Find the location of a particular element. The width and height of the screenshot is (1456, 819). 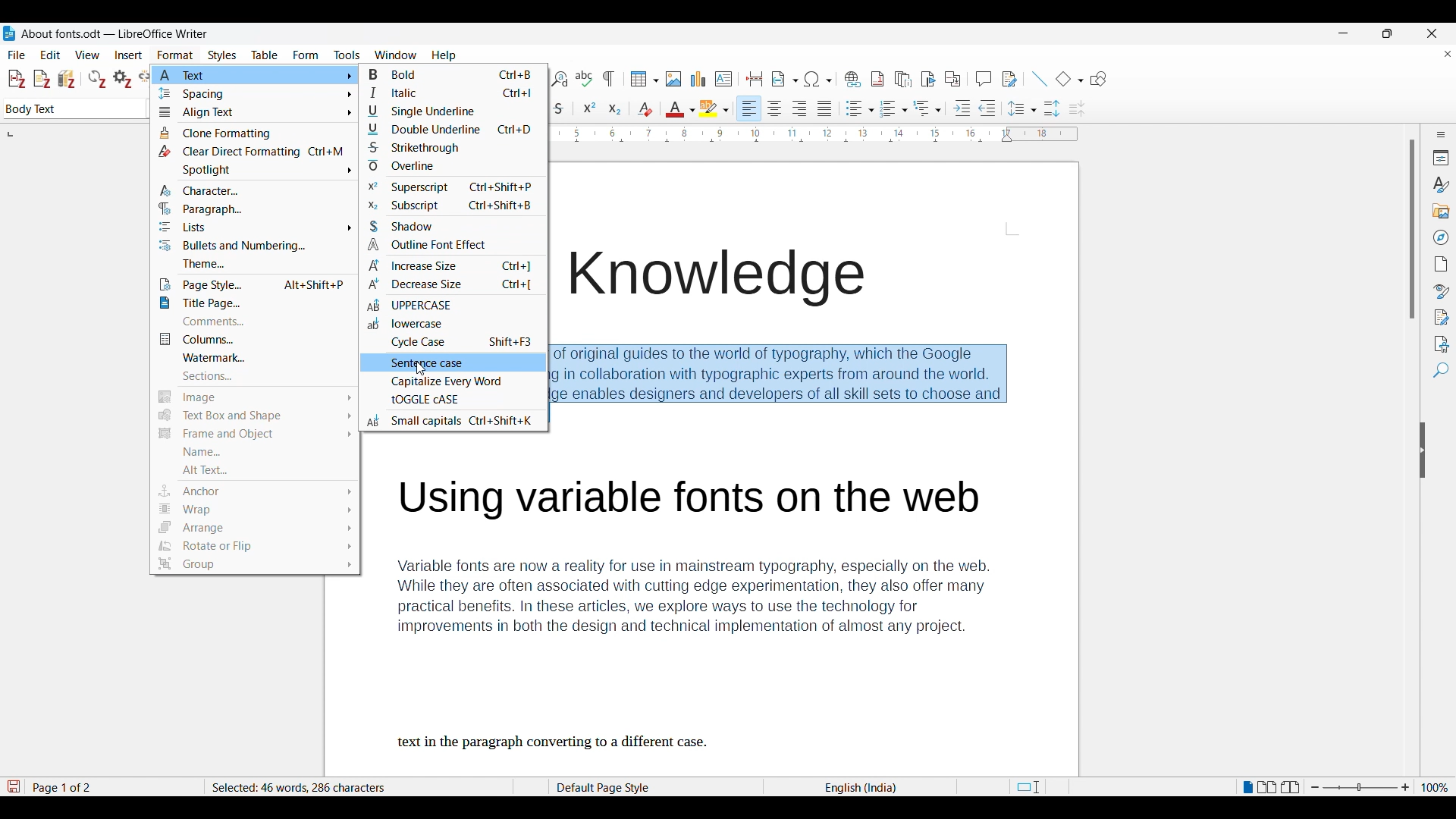

Find and replace is located at coordinates (559, 79).